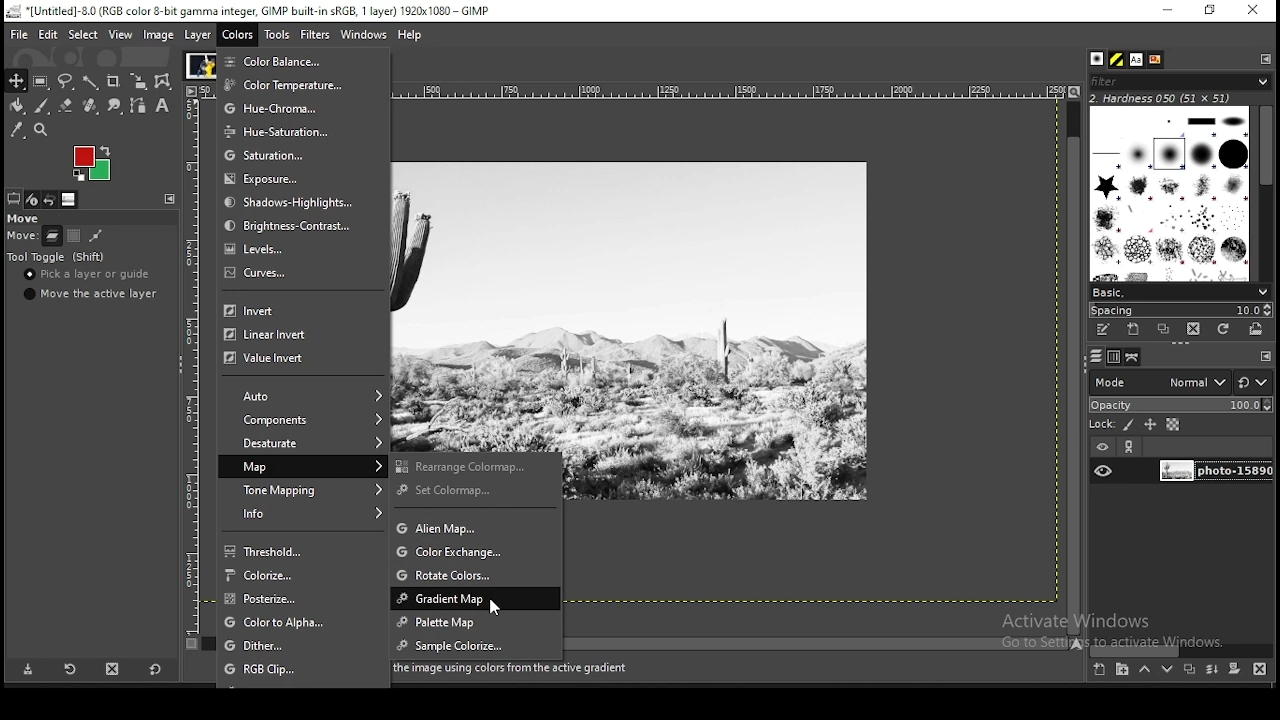 The height and width of the screenshot is (720, 1280). What do you see at coordinates (1116, 357) in the screenshot?
I see `channels` at bounding box center [1116, 357].